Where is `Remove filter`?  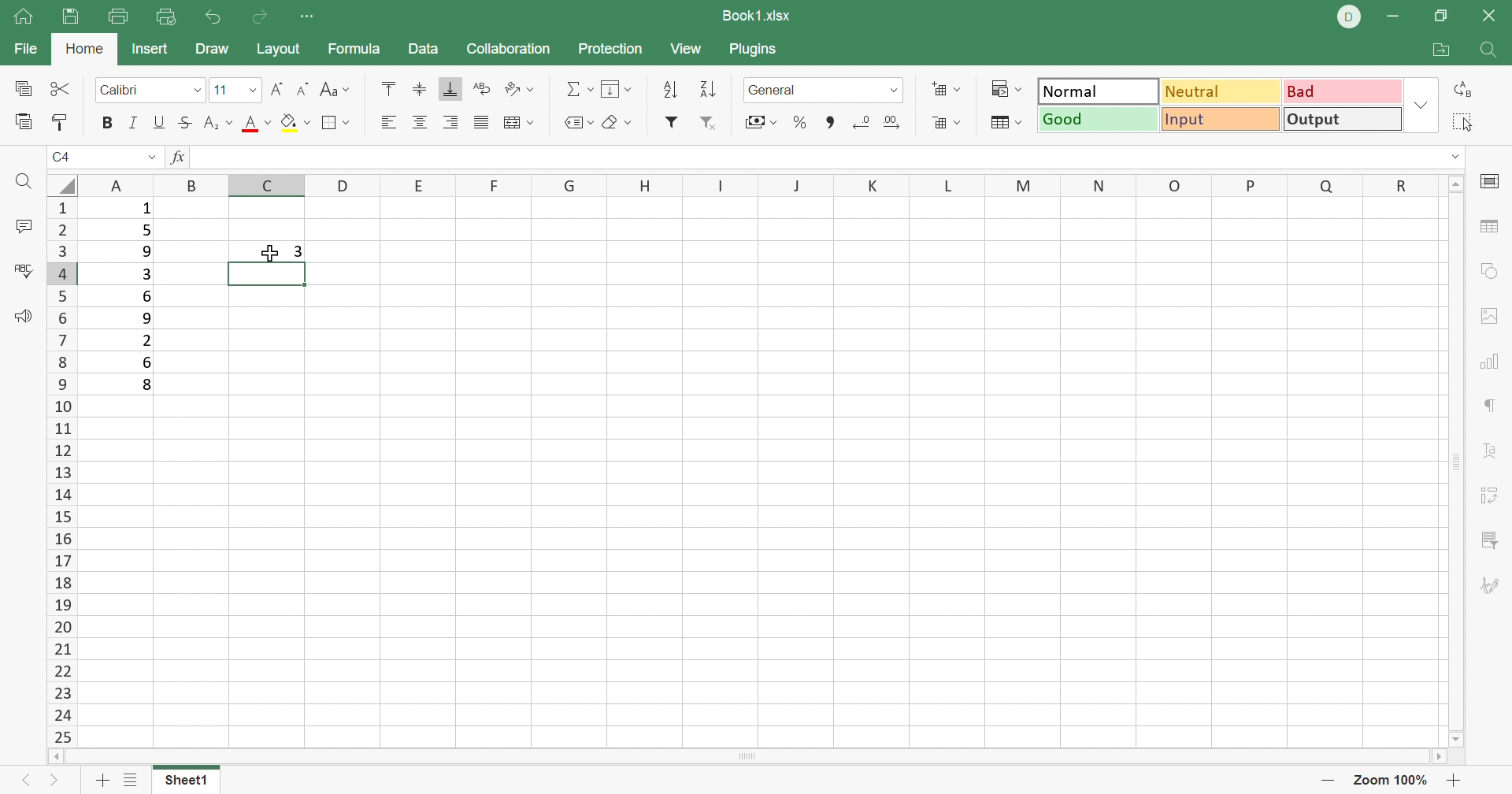 Remove filter is located at coordinates (711, 122).